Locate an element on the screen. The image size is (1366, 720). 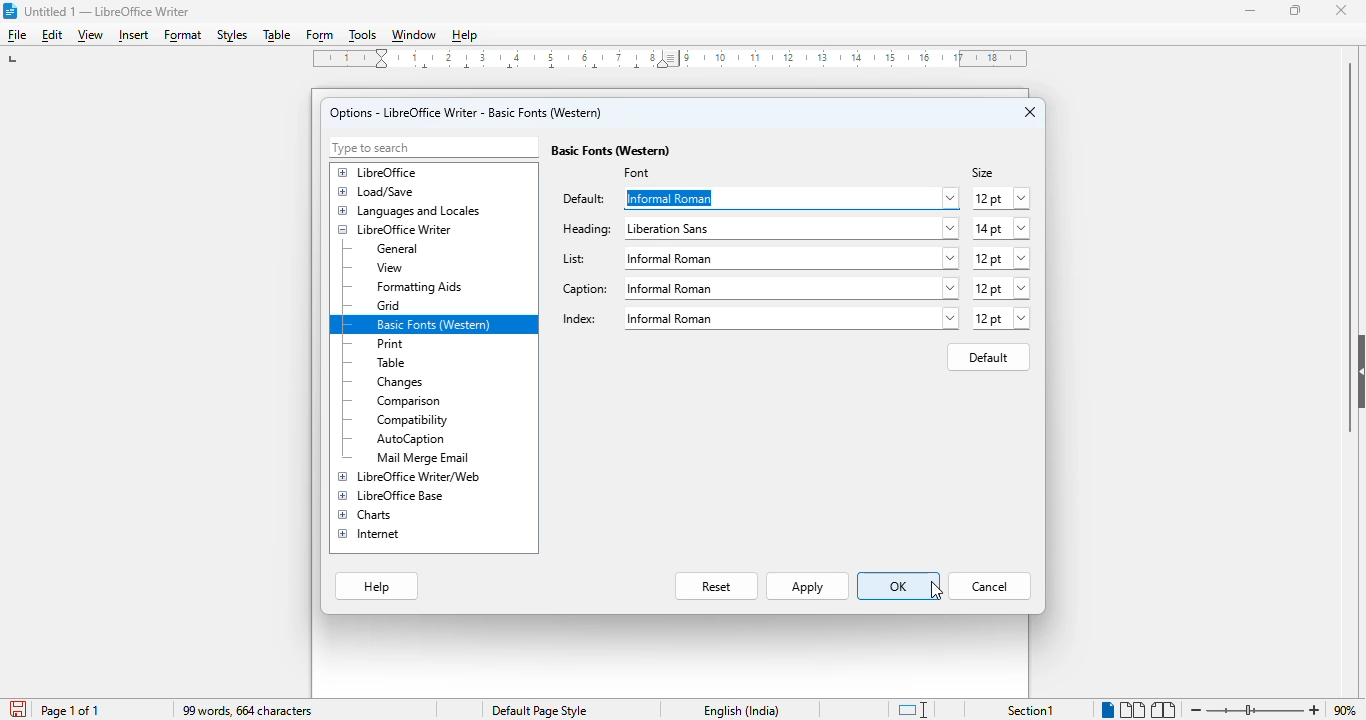
font is located at coordinates (640, 173).